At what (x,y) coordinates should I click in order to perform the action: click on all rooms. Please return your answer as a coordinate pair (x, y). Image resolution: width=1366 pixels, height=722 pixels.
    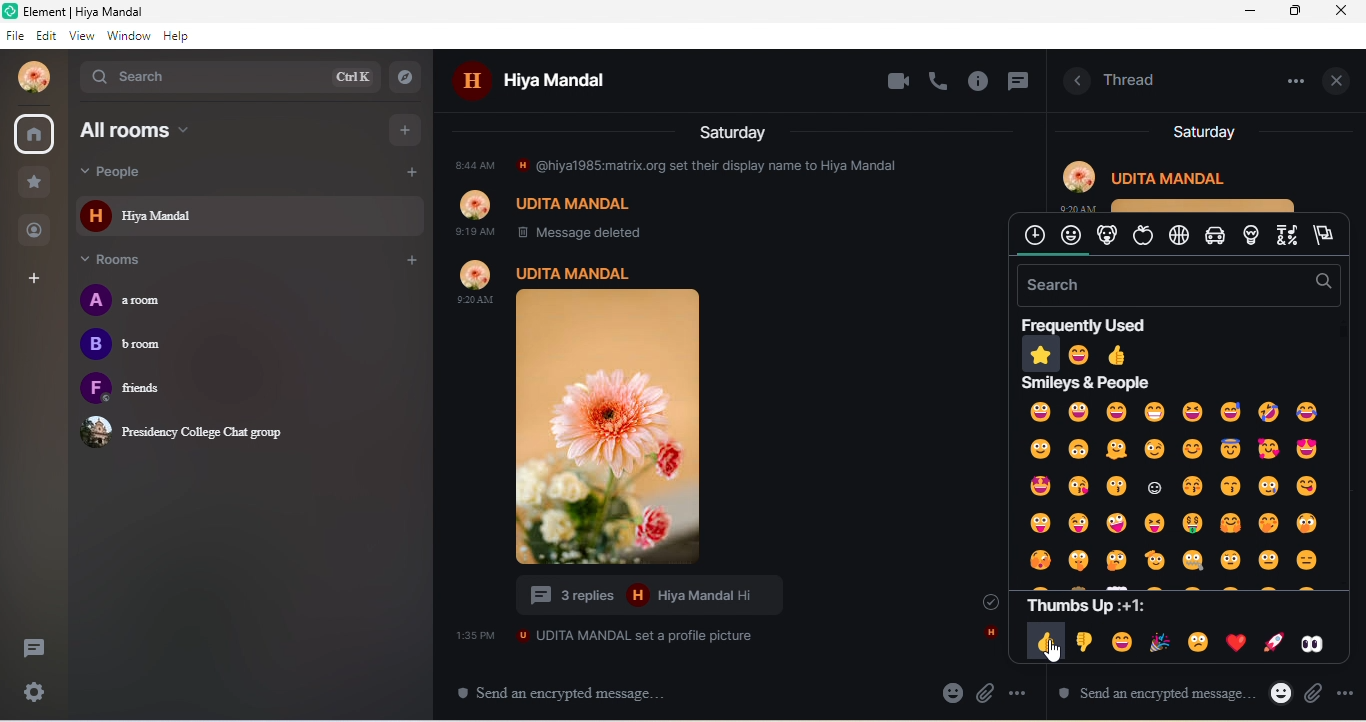
    Looking at the image, I should click on (184, 130).